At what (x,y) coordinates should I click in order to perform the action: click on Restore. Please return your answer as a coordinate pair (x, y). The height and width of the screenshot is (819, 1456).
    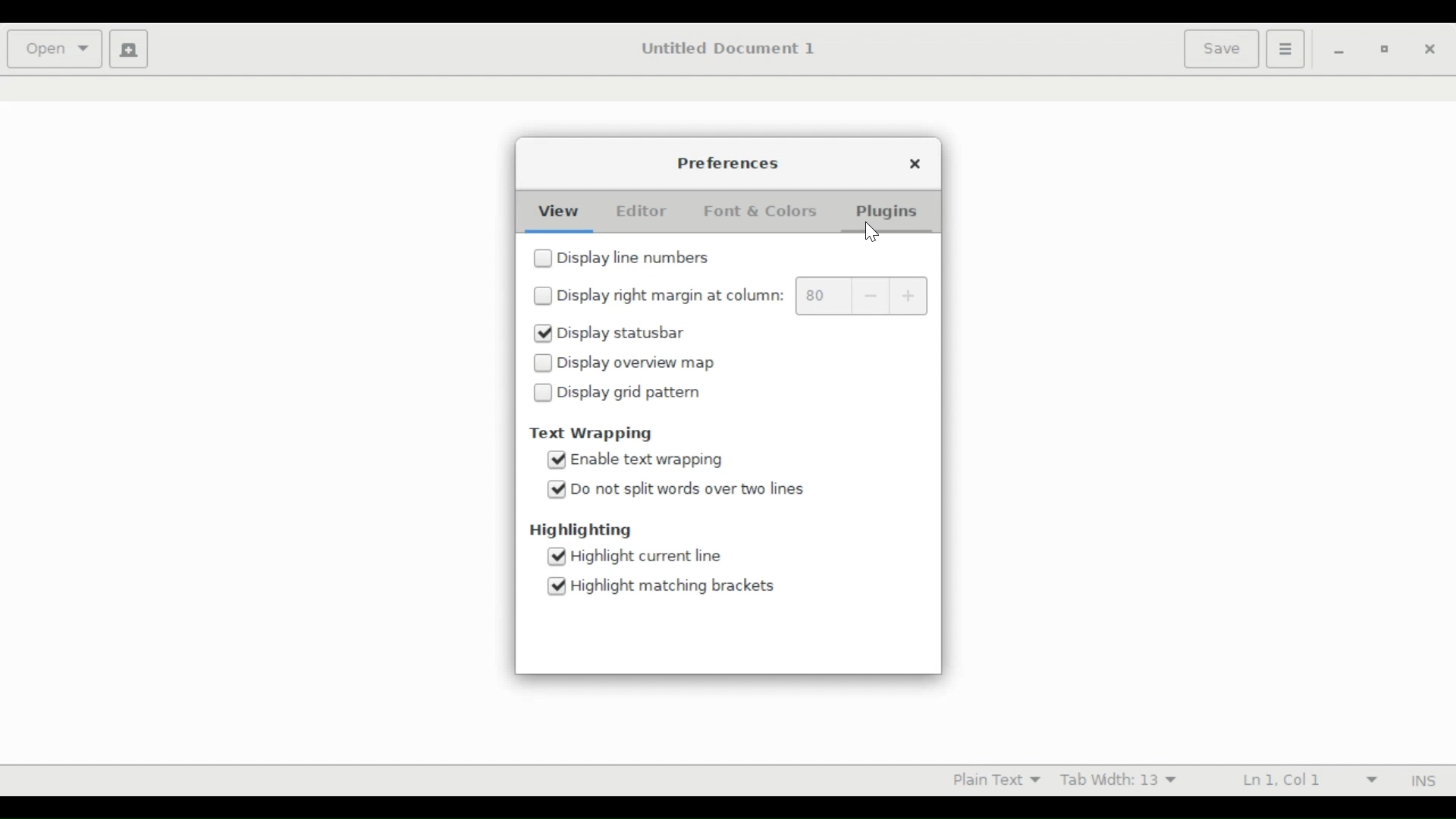
    Looking at the image, I should click on (1386, 50).